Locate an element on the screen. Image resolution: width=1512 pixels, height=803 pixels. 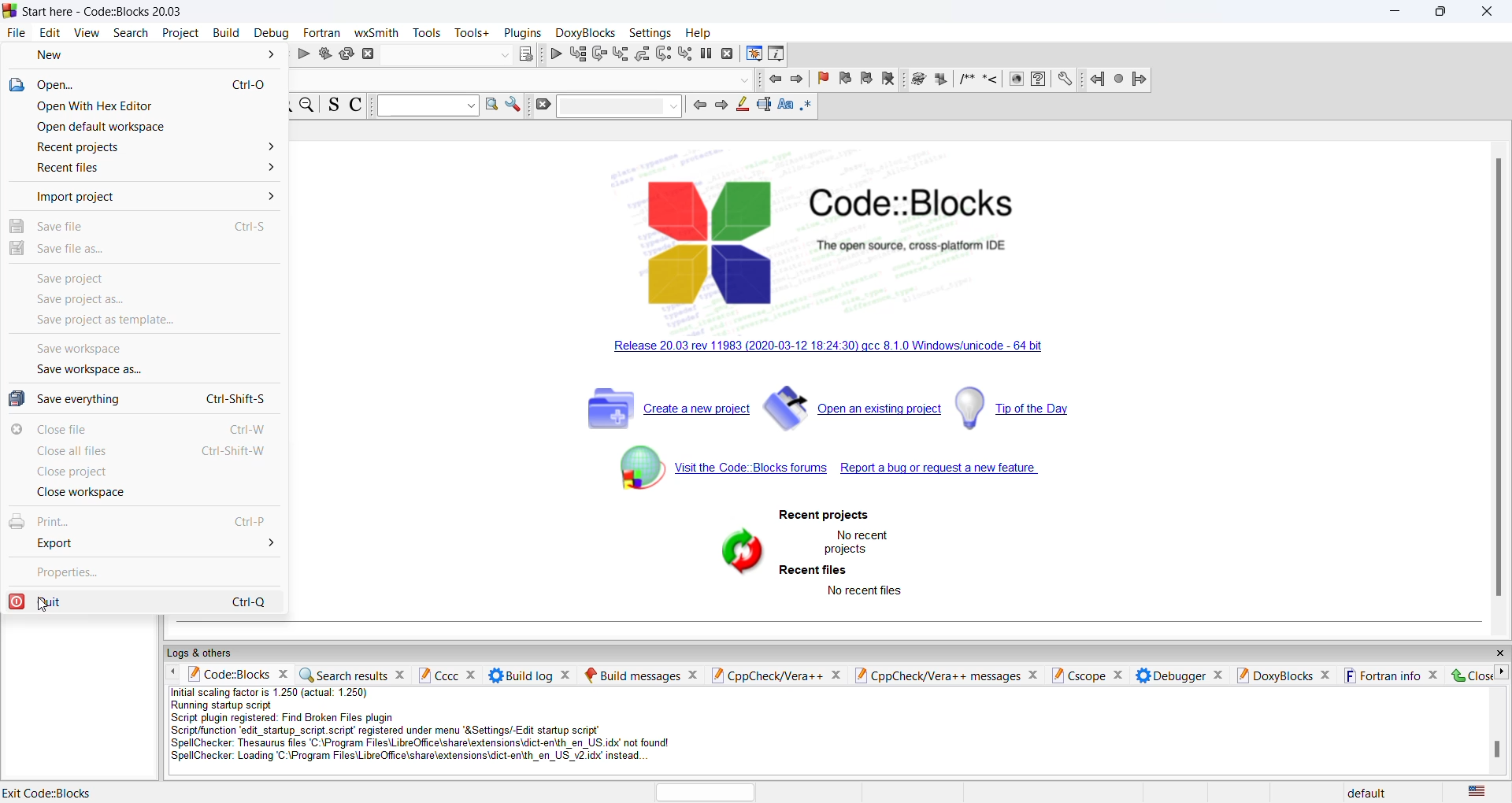
dropdown is located at coordinates (502, 57).